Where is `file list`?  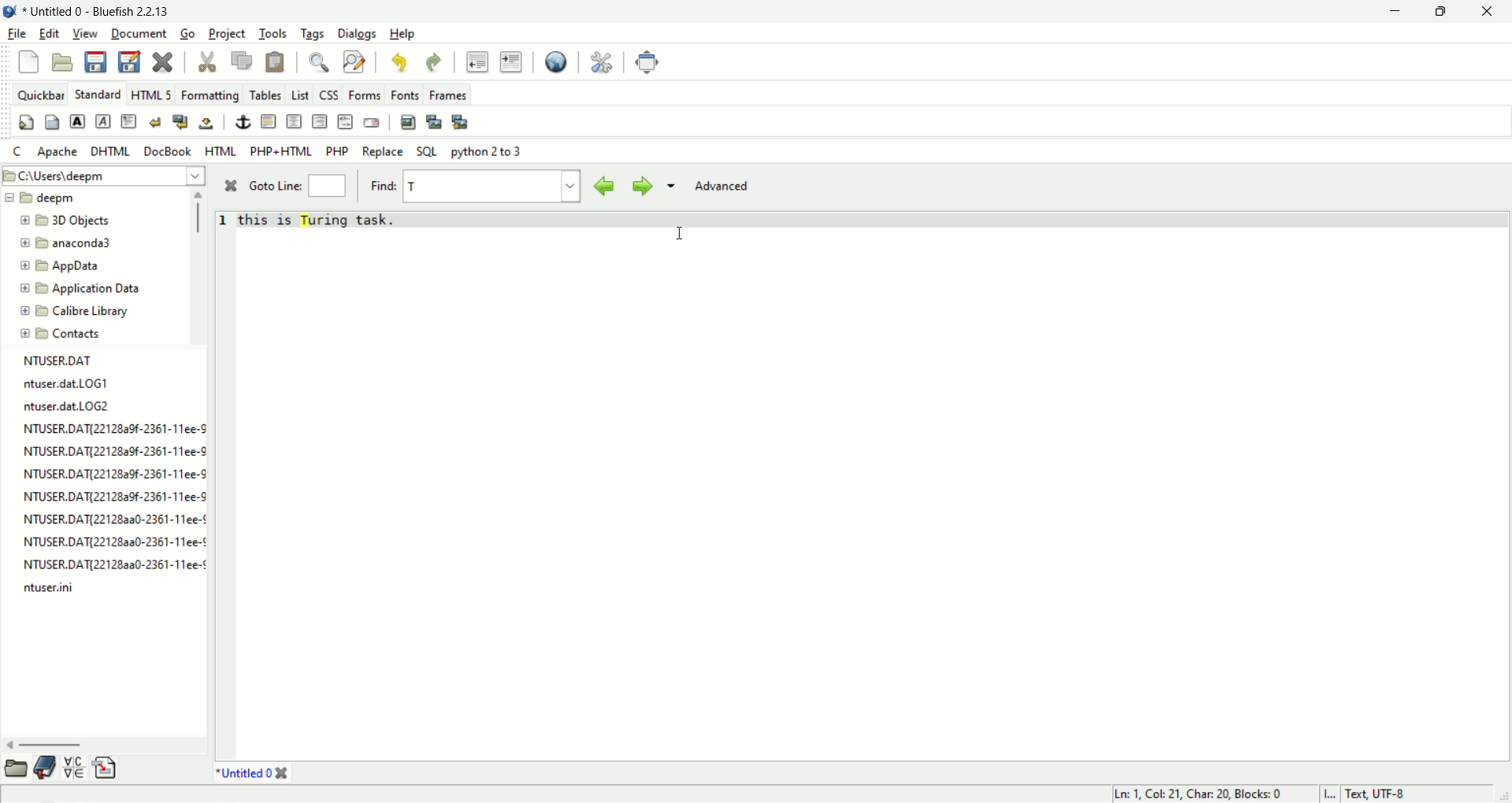
file list is located at coordinates (109, 483).